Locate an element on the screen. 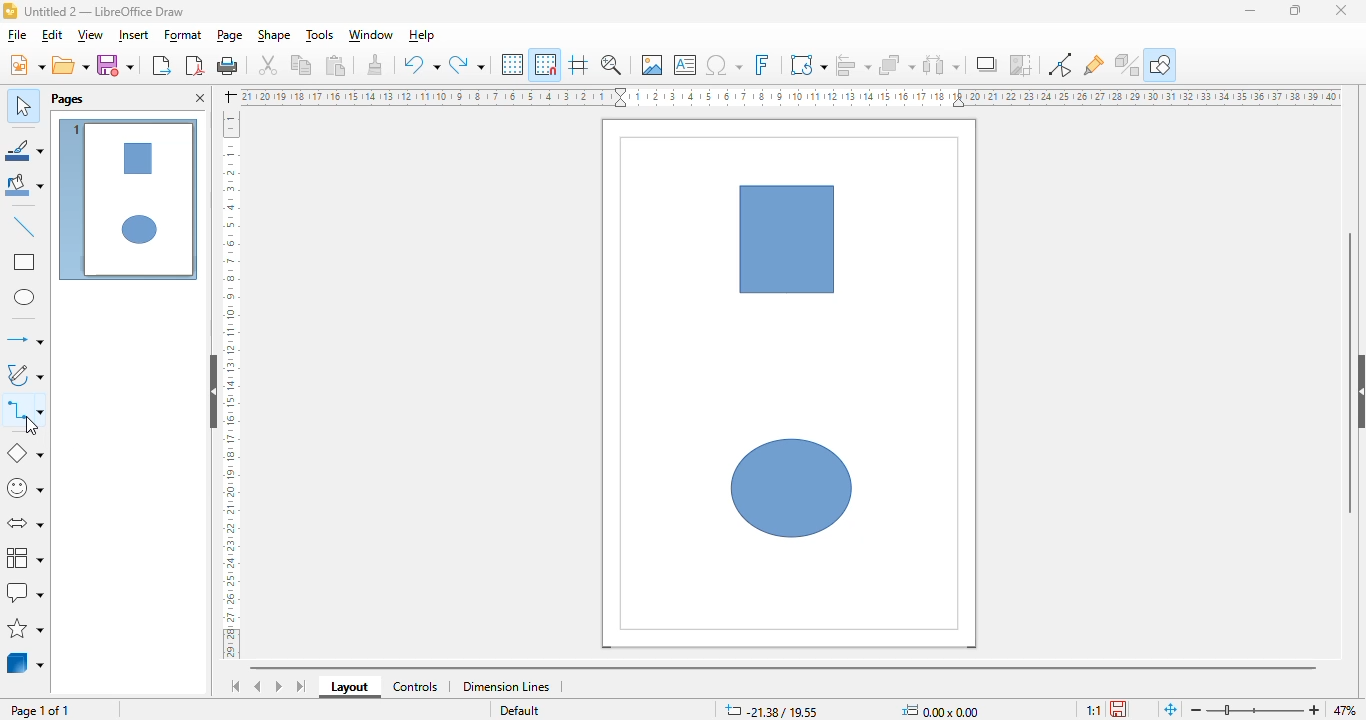  minimize is located at coordinates (1250, 11).